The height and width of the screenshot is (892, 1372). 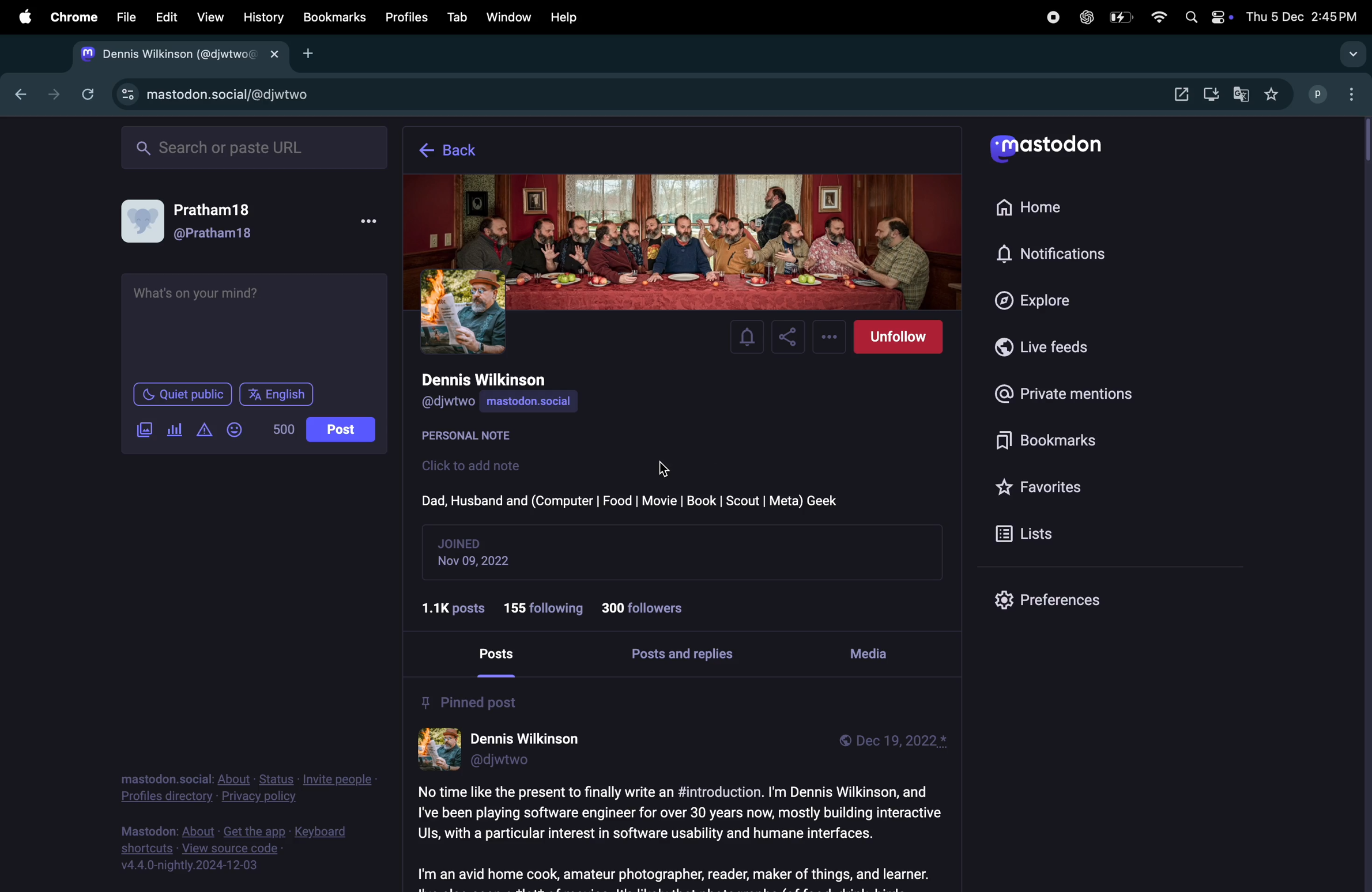 I want to click on share, so click(x=789, y=337).